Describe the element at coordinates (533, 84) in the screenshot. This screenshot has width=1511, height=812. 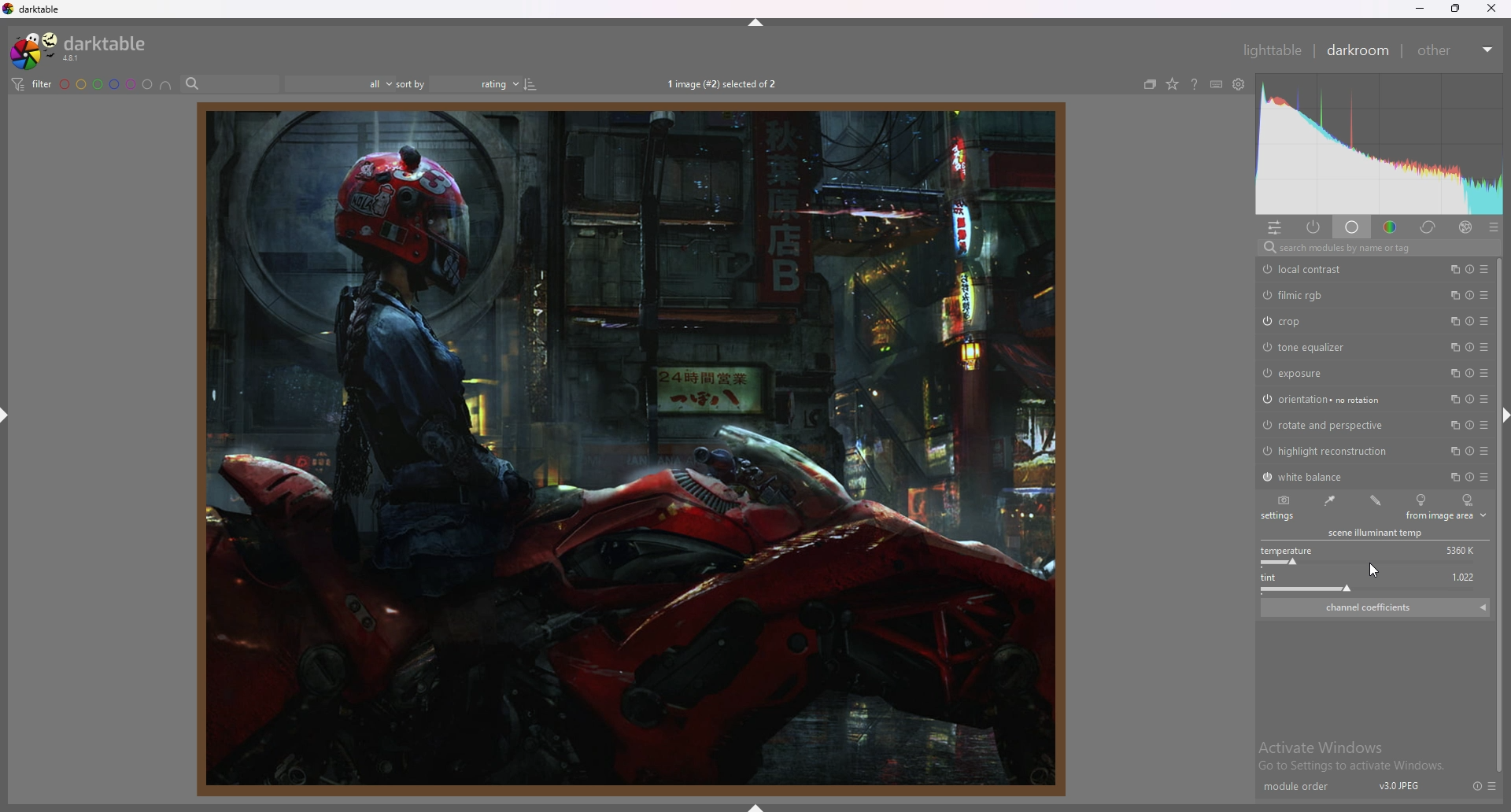
I see `reverse sort order` at that location.